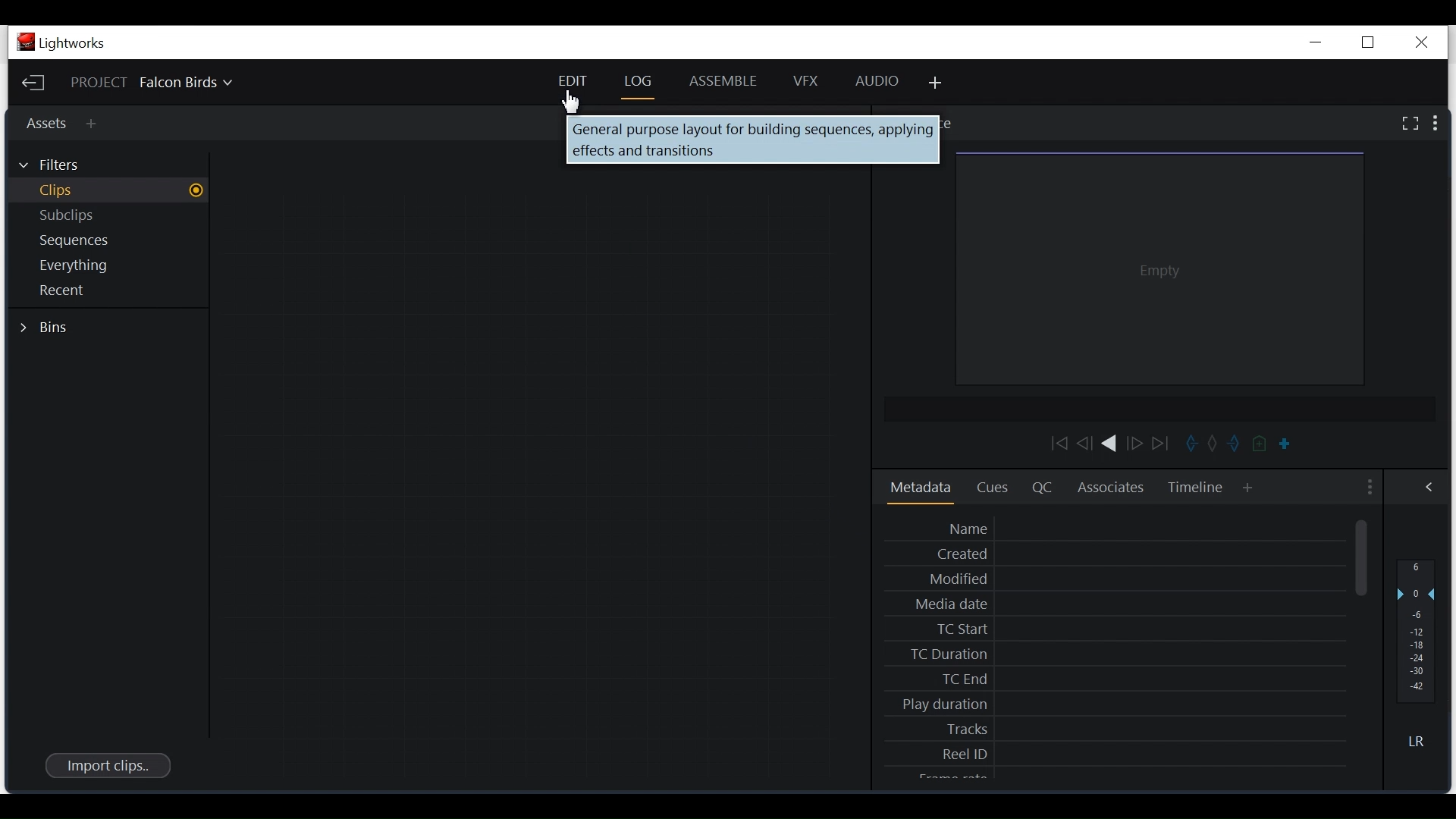 This screenshot has height=819, width=1456. What do you see at coordinates (1040, 489) in the screenshot?
I see `QC` at bounding box center [1040, 489].